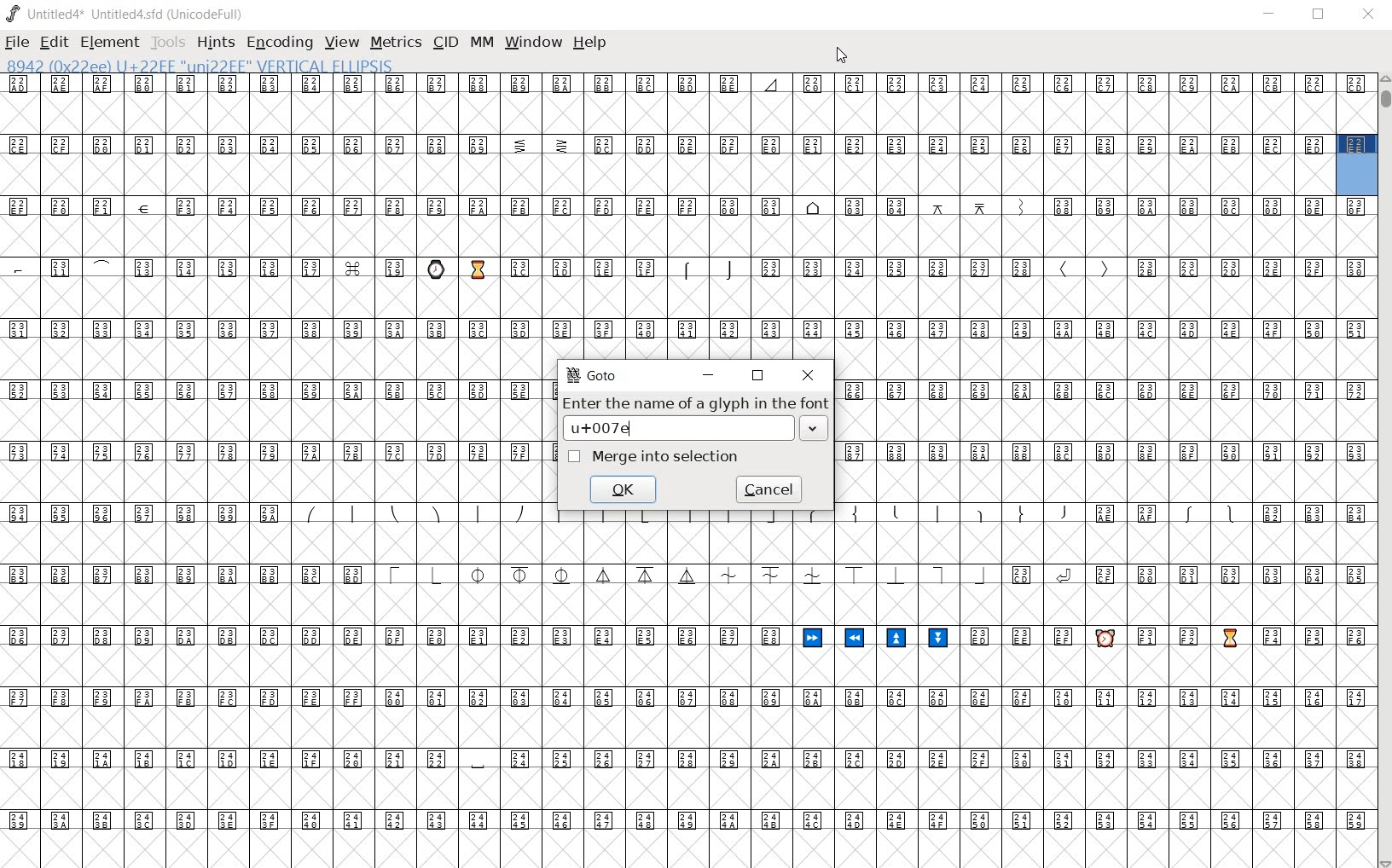 This screenshot has height=868, width=1392. Describe the element at coordinates (841, 56) in the screenshot. I see `CURSOR` at that location.